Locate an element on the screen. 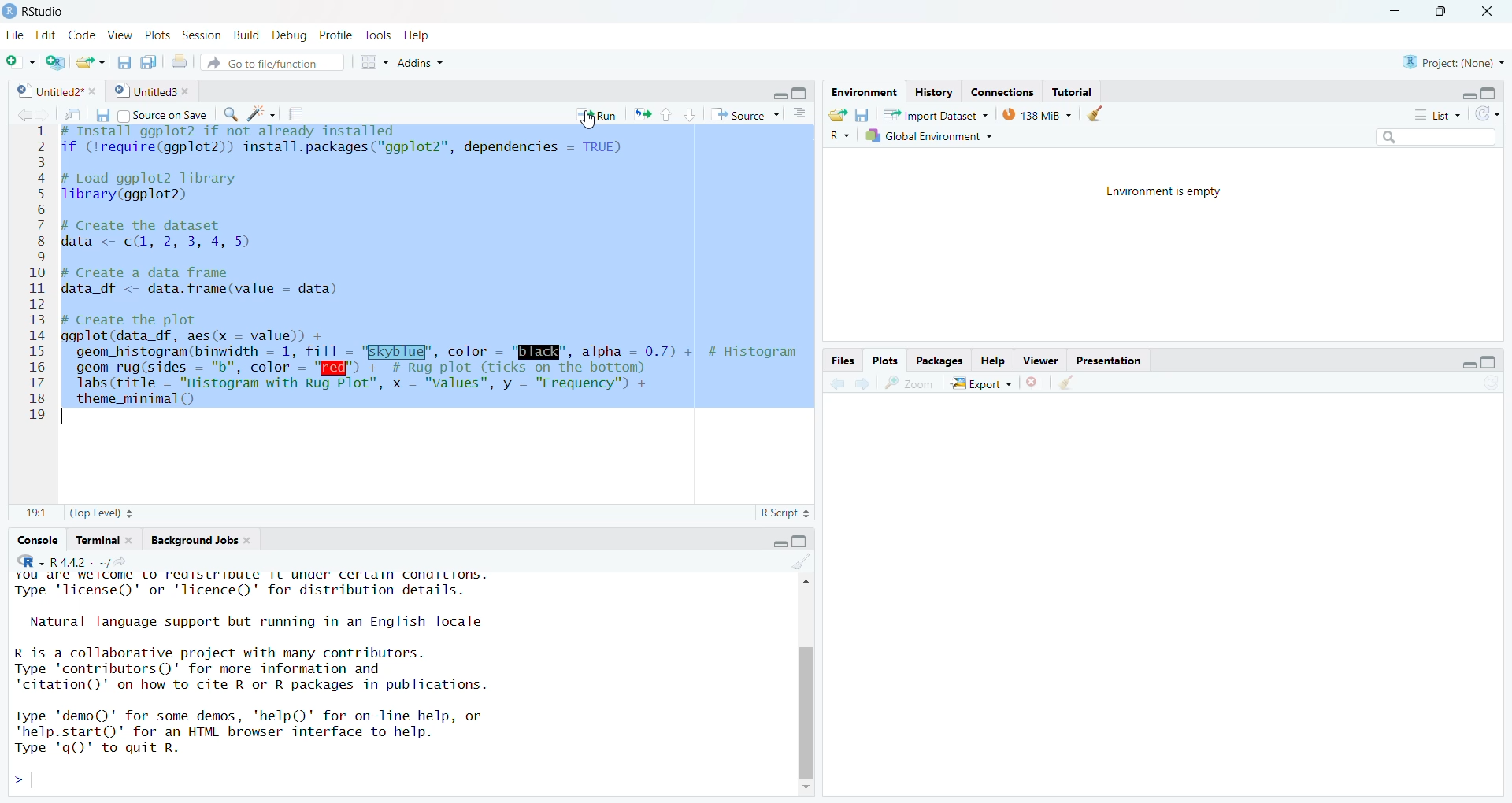 This screenshot has height=803, width=1512. forward /backward is located at coordinates (847, 383).